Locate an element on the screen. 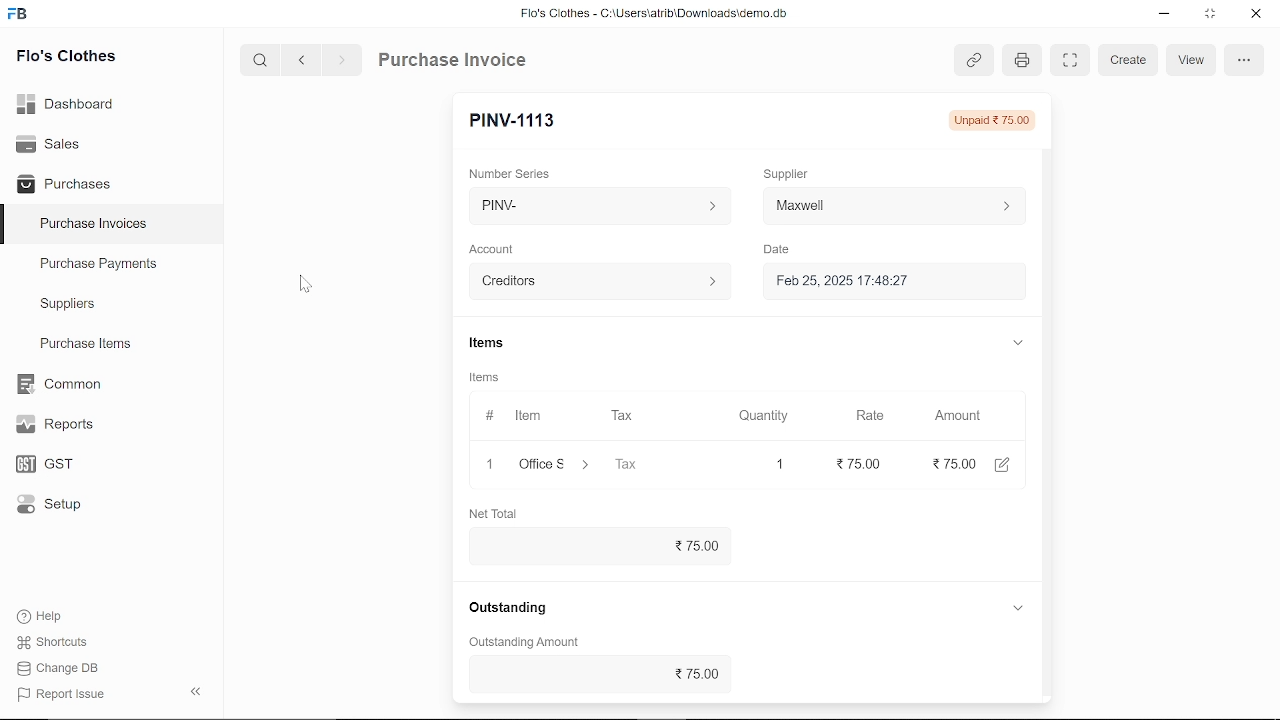  vertical scrollbar is located at coordinates (1045, 360).